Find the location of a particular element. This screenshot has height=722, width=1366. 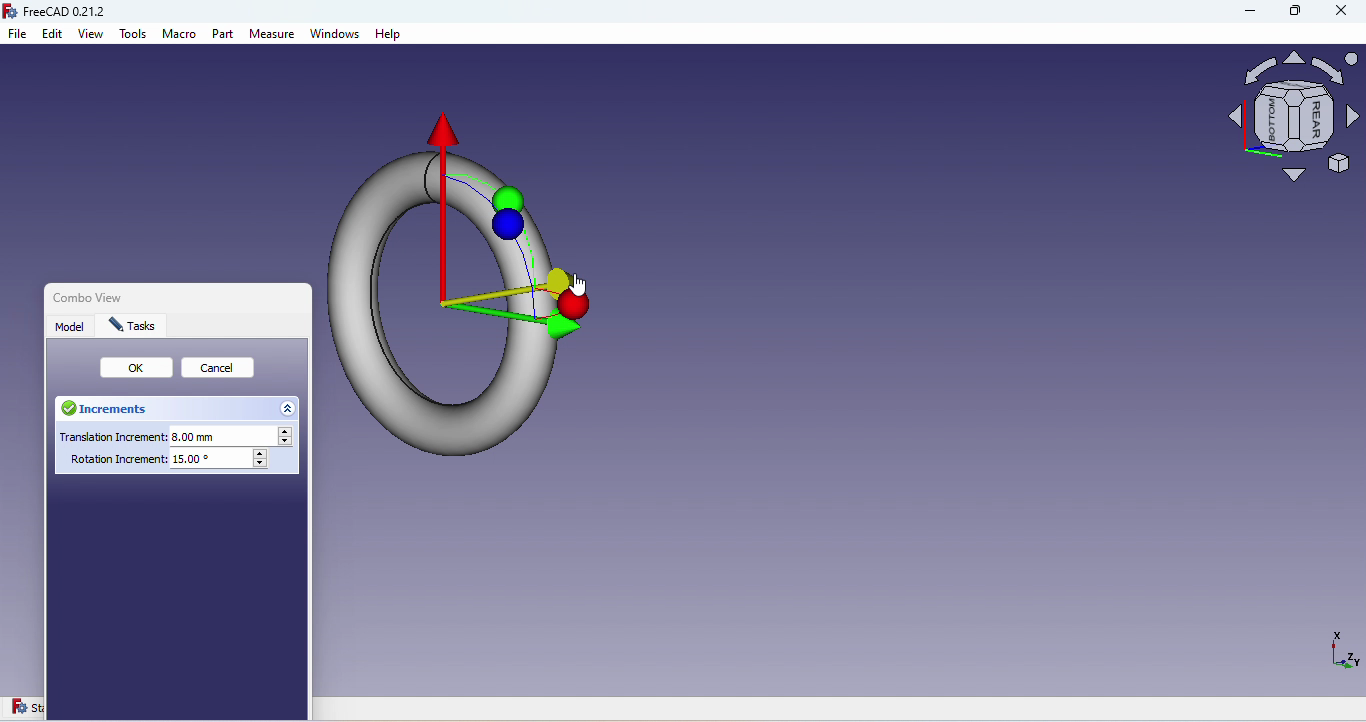

Maximize is located at coordinates (1293, 15).